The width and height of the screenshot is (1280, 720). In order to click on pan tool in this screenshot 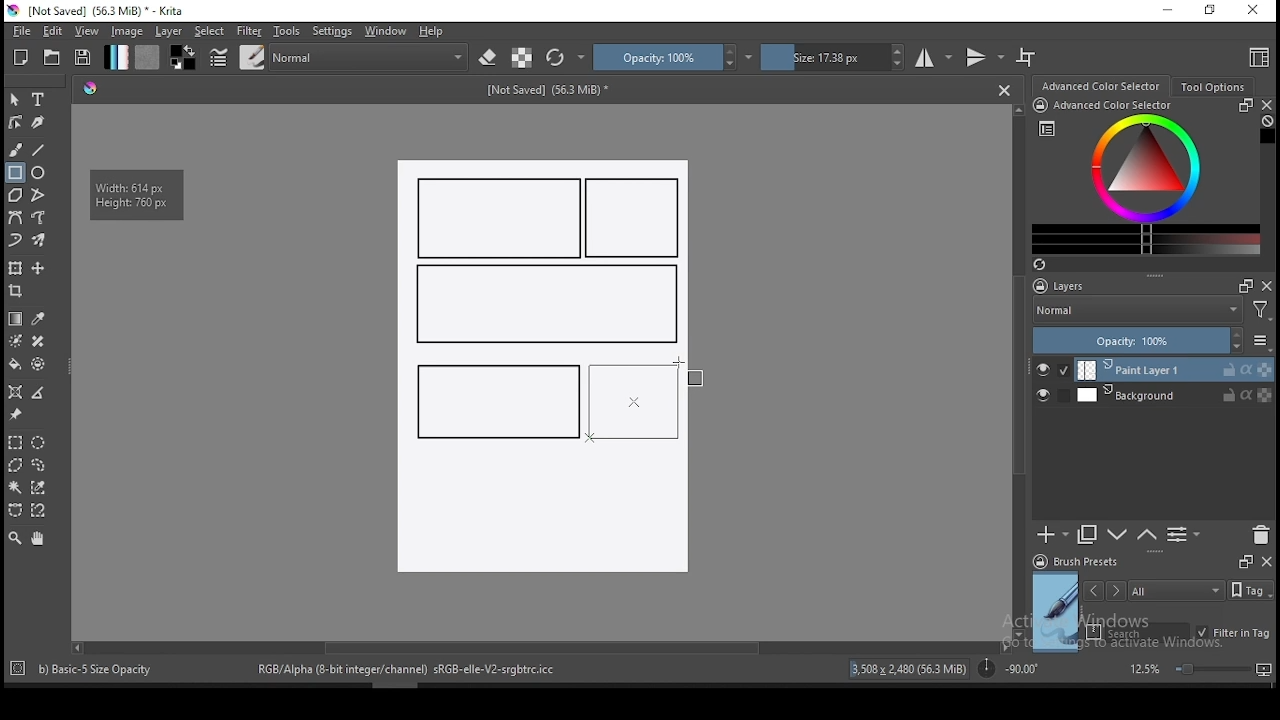, I will do `click(36, 539)`.